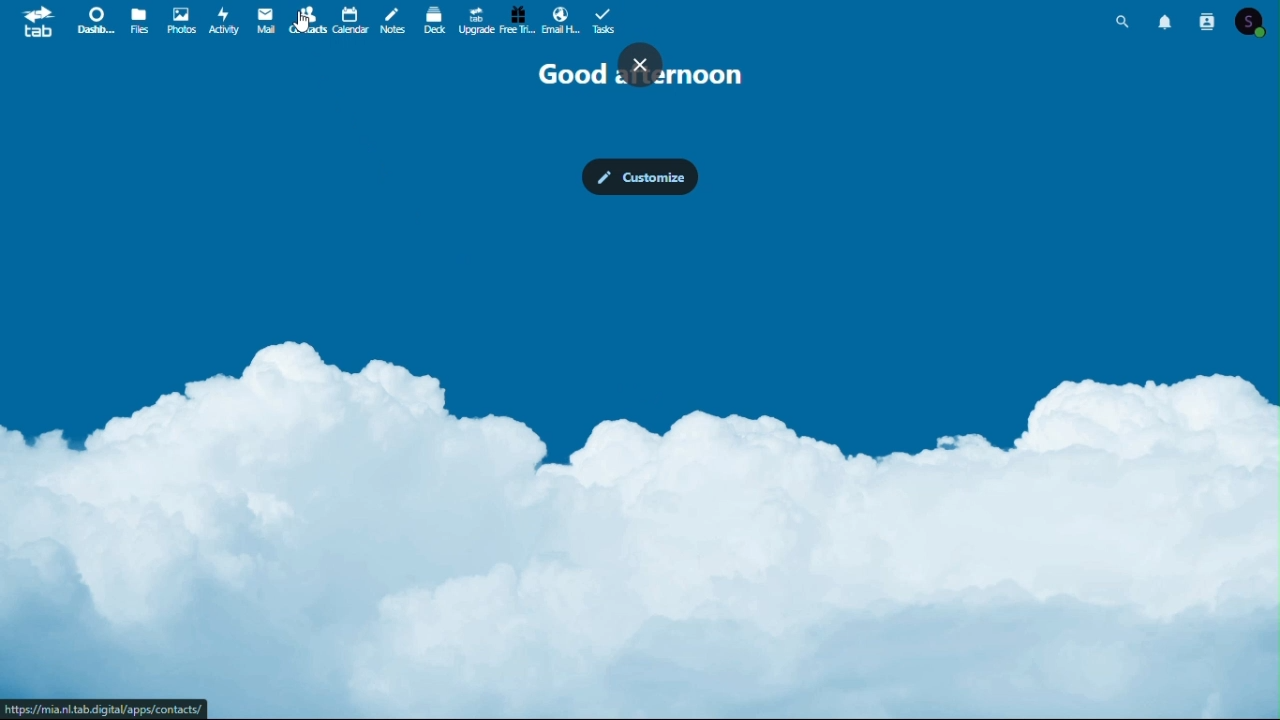 The image size is (1280, 720). I want to click on tab, so click(36, 24).